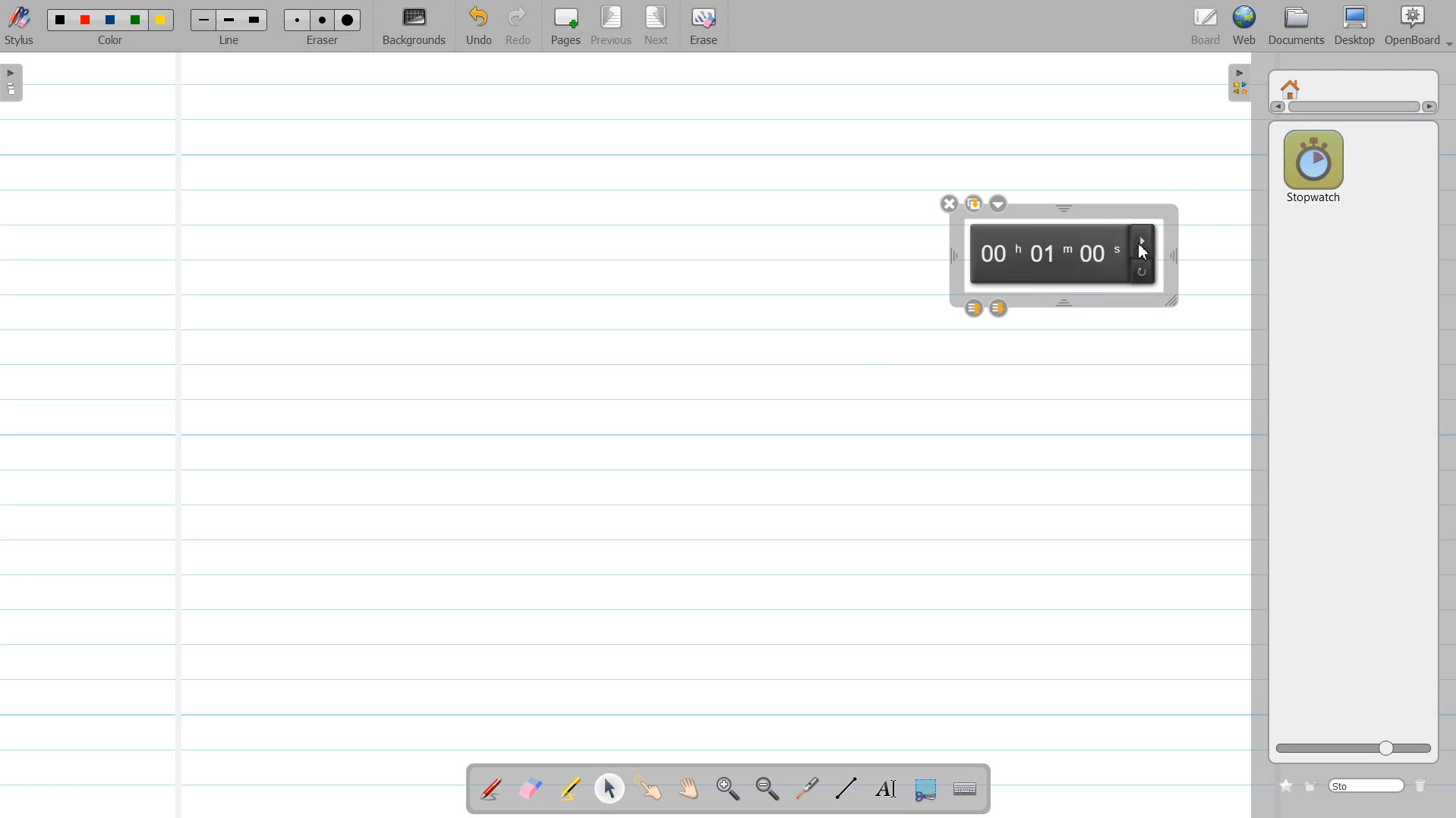 The image size is (1456, 818). Describe the element at coordinates (519, 27) in the screenshot. I see `Redo` at that location.